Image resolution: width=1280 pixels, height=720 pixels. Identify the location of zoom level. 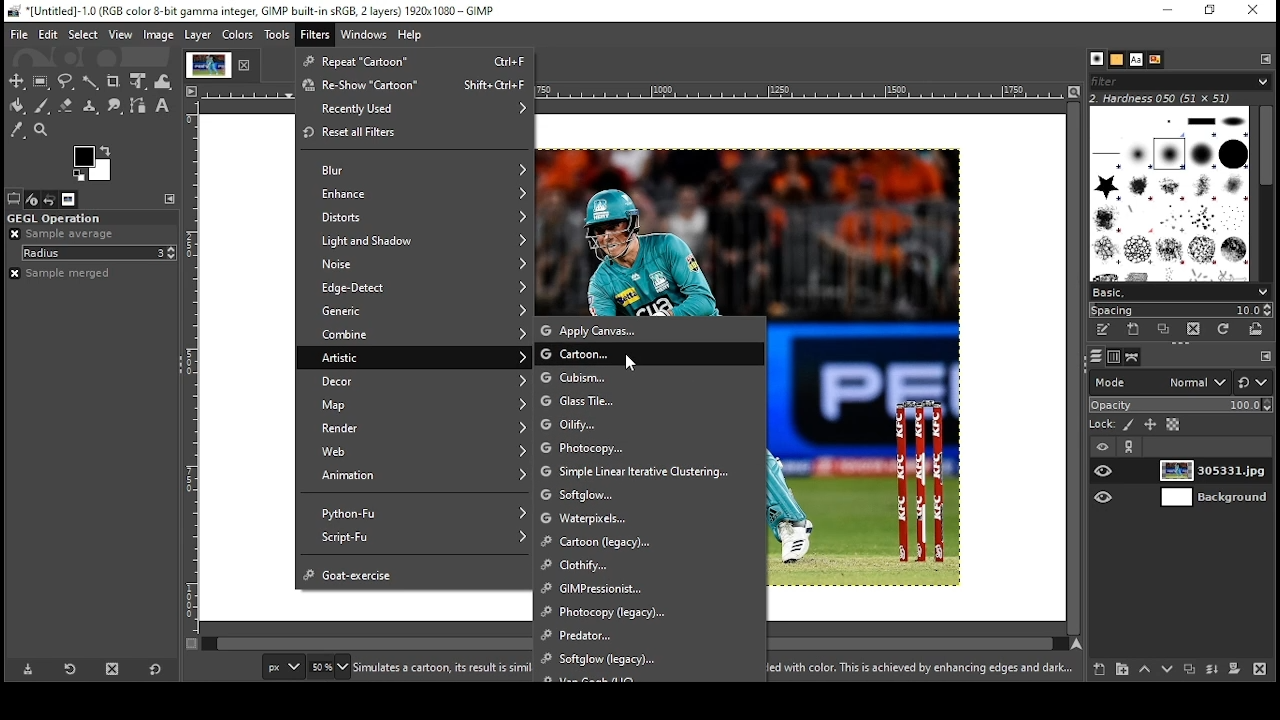
(330, 667).